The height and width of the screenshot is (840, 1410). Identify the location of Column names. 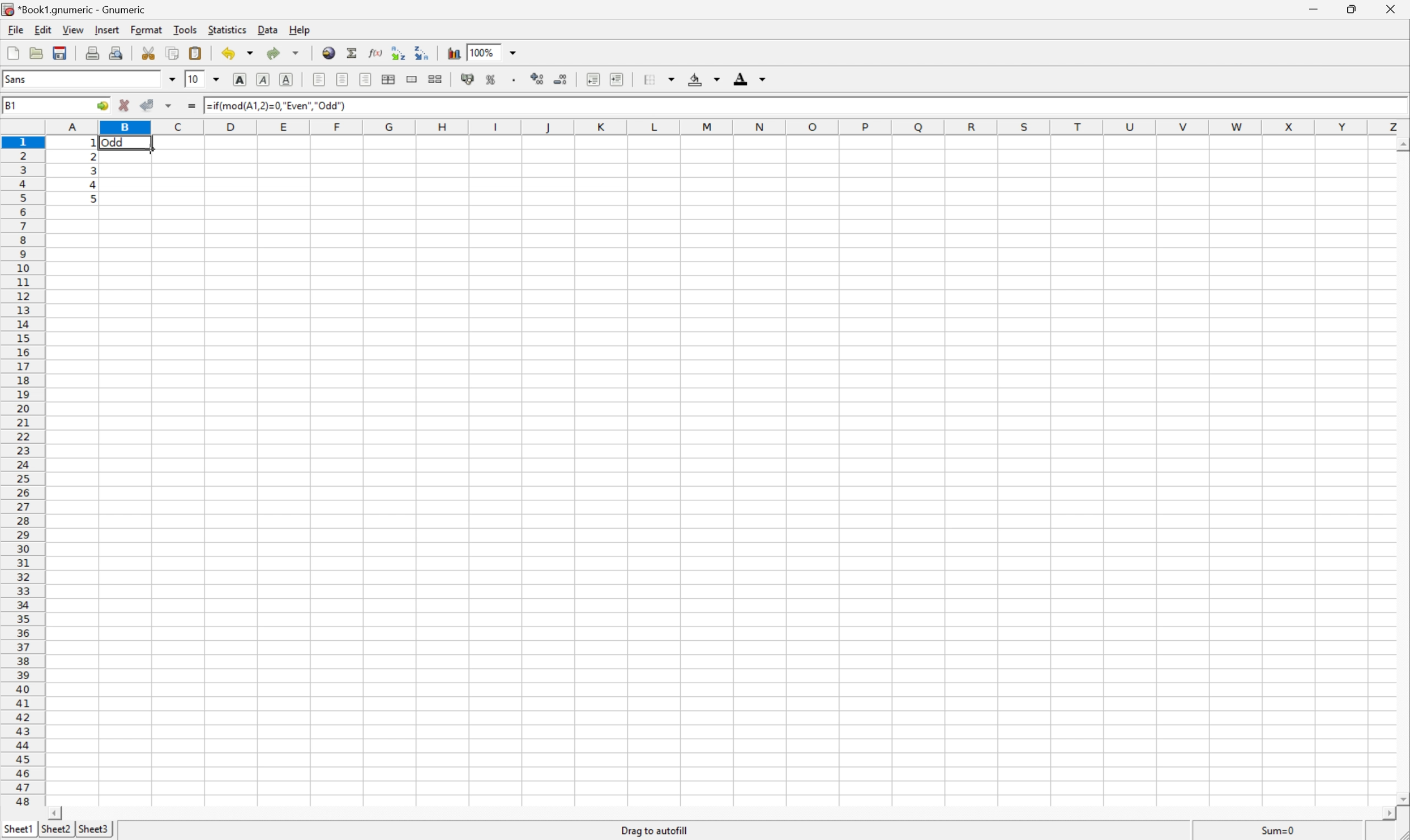
(727, 126).